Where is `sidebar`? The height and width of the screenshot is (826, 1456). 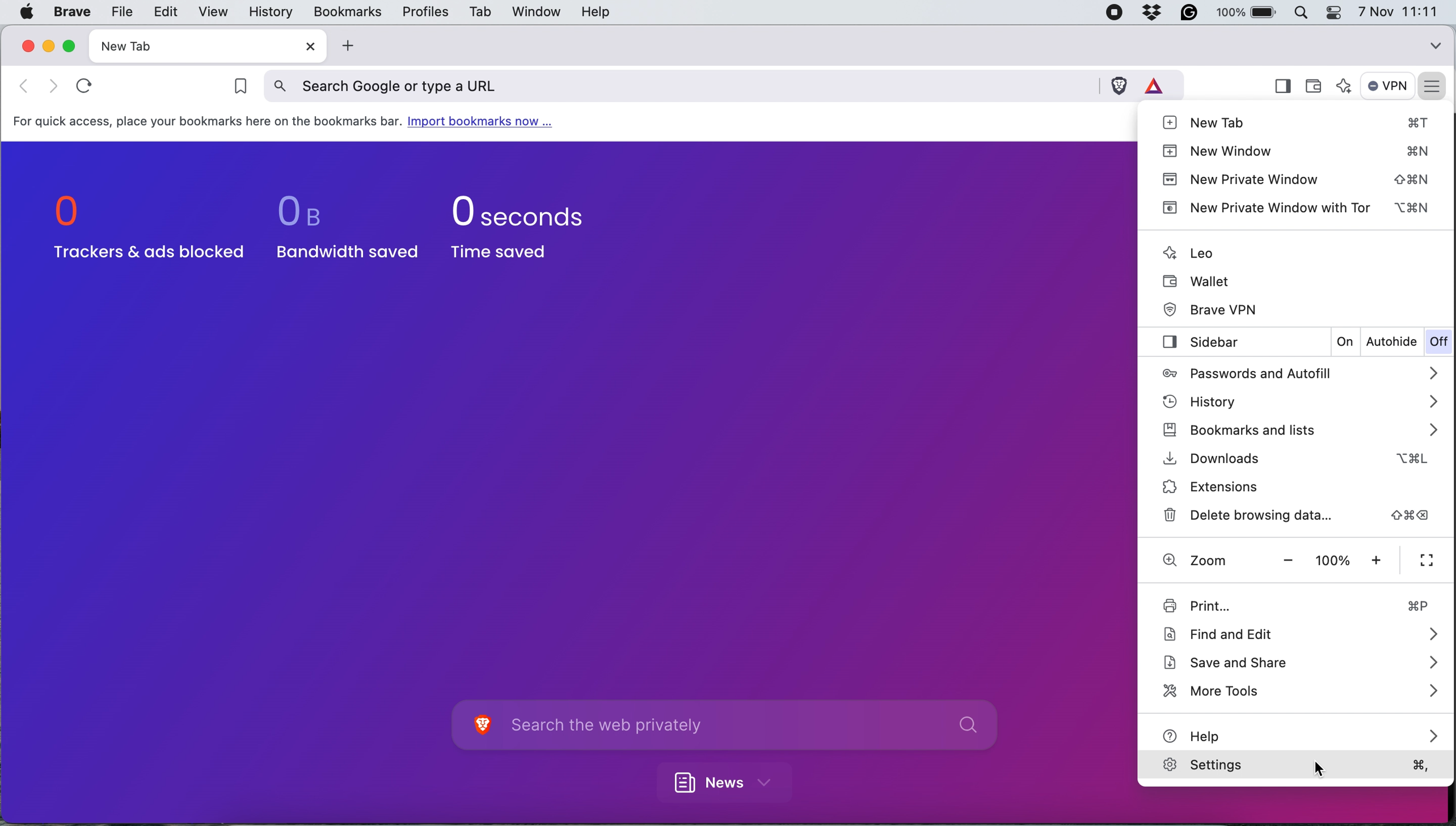 sidebar is located at coordinates (1195, 343).